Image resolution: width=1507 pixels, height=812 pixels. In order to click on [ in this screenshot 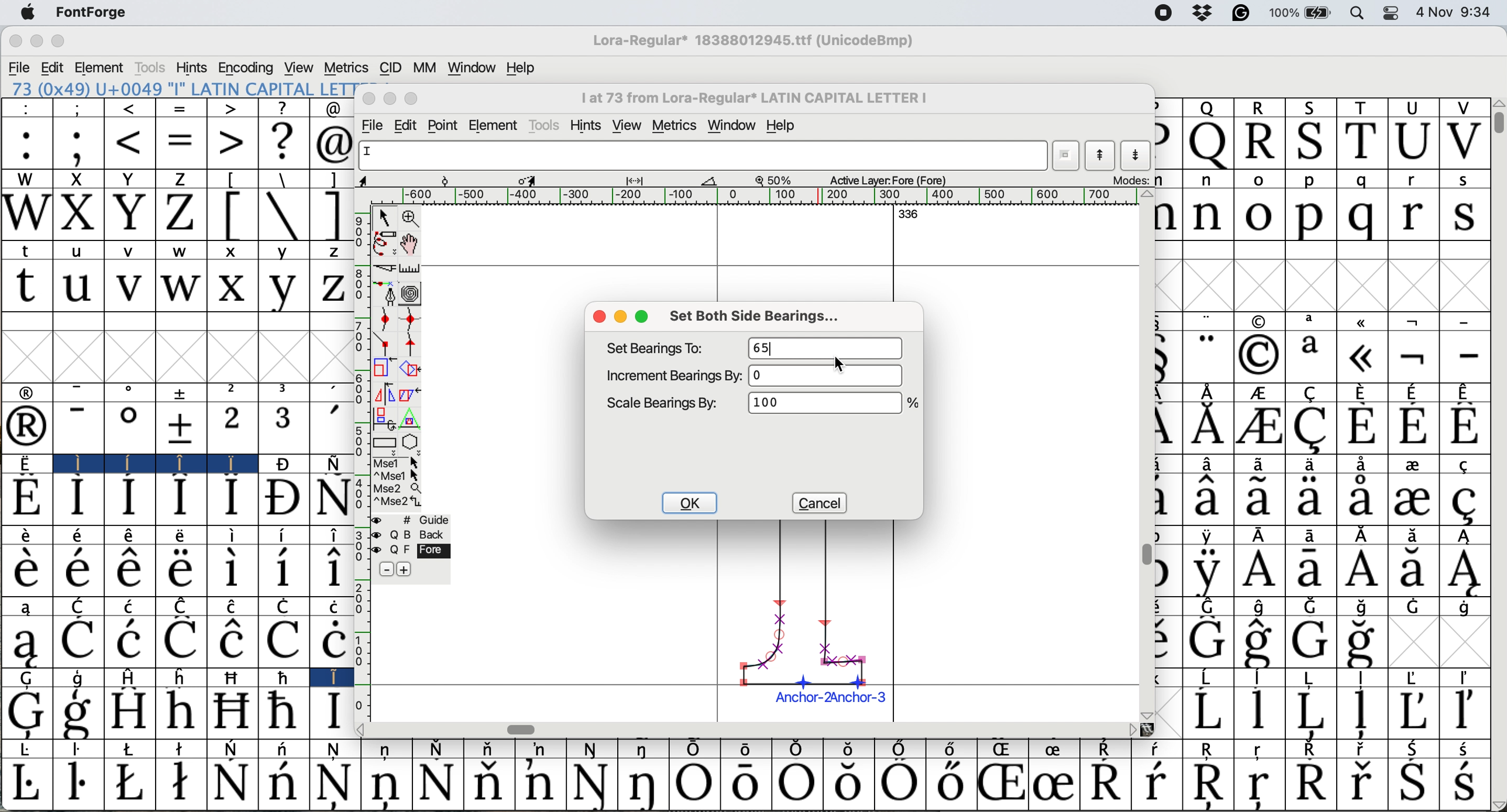, I will do `click(232, 180)`.